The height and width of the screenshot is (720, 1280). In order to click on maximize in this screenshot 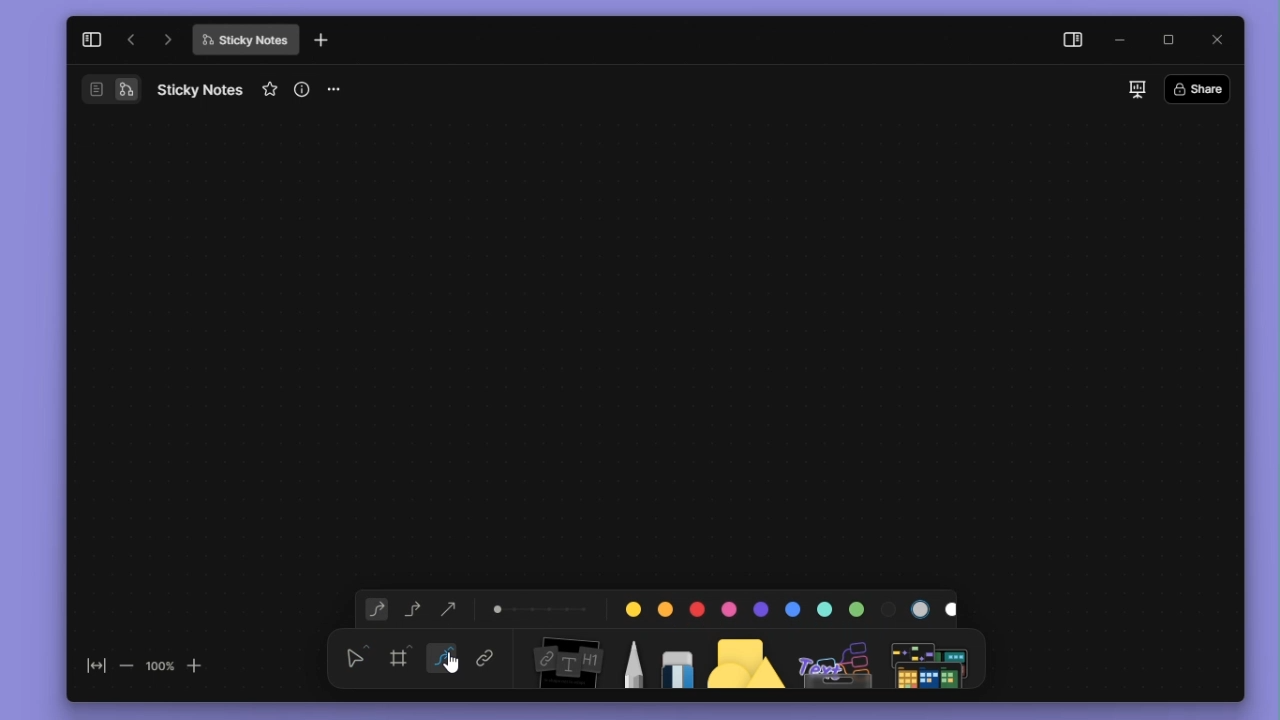, I will do `click(1175, 41)`.